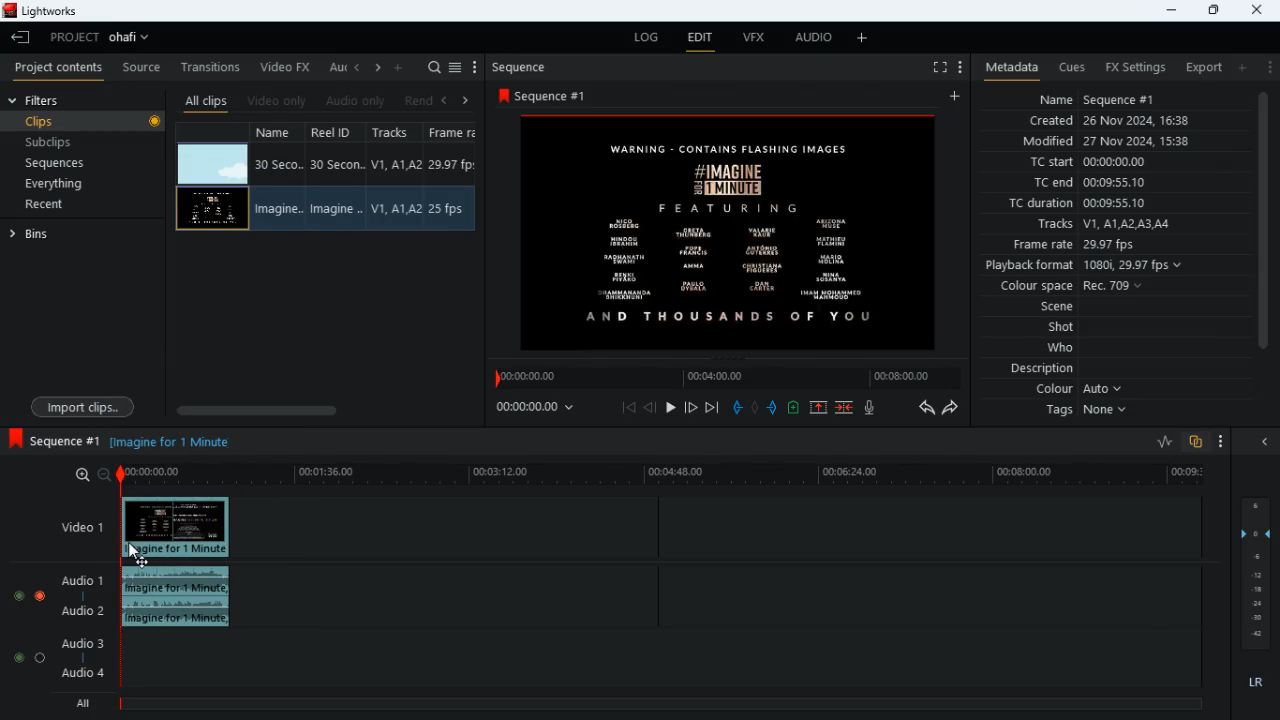 The image size is (1280, 720). I want to click on video fx, so click(287, 66).